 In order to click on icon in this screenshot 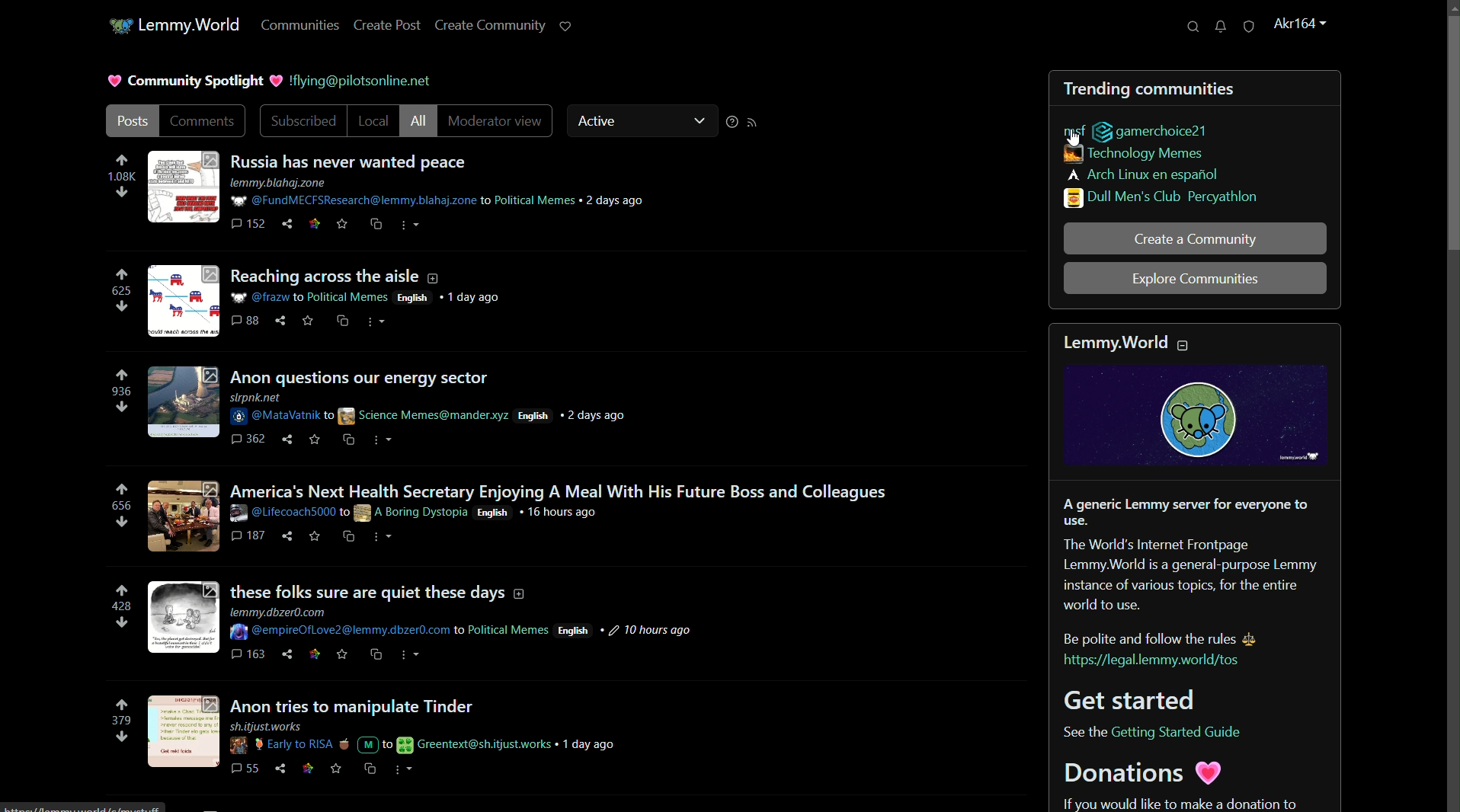, I will do `click(117, 27)`.